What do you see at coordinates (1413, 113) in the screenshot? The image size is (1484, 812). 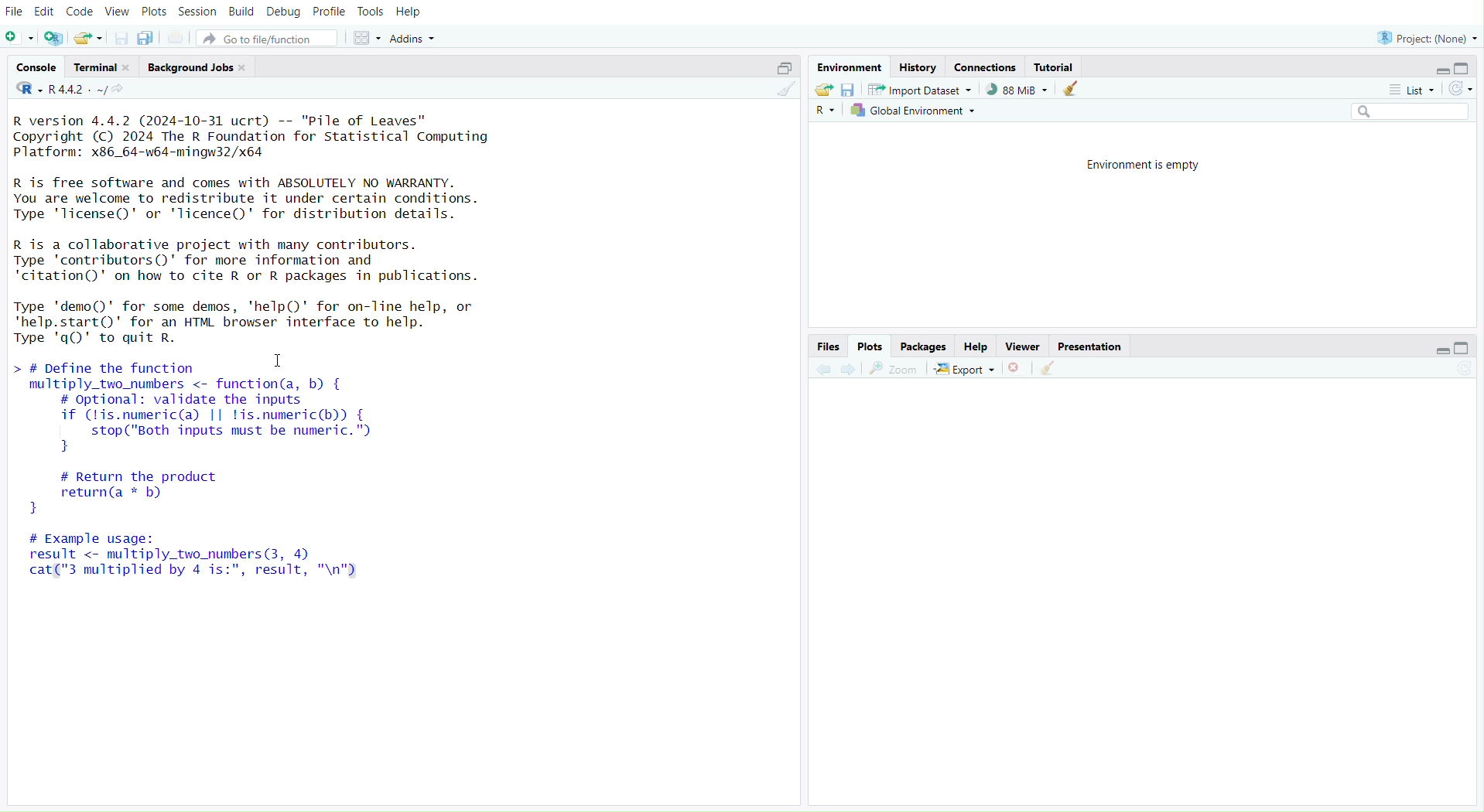 I see `Search bar` at bounding box center [1413, 113].